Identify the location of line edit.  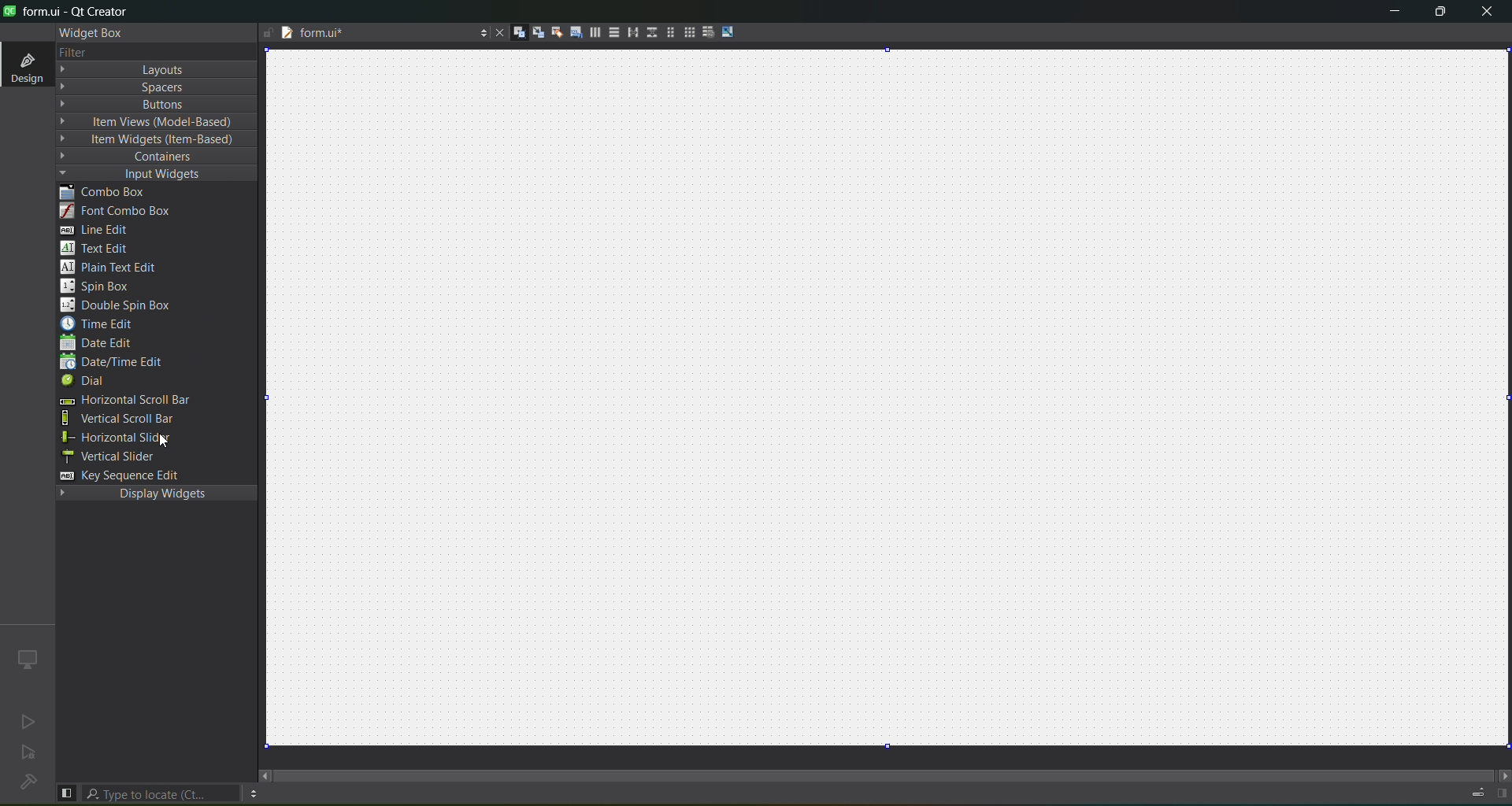
(98, 229).